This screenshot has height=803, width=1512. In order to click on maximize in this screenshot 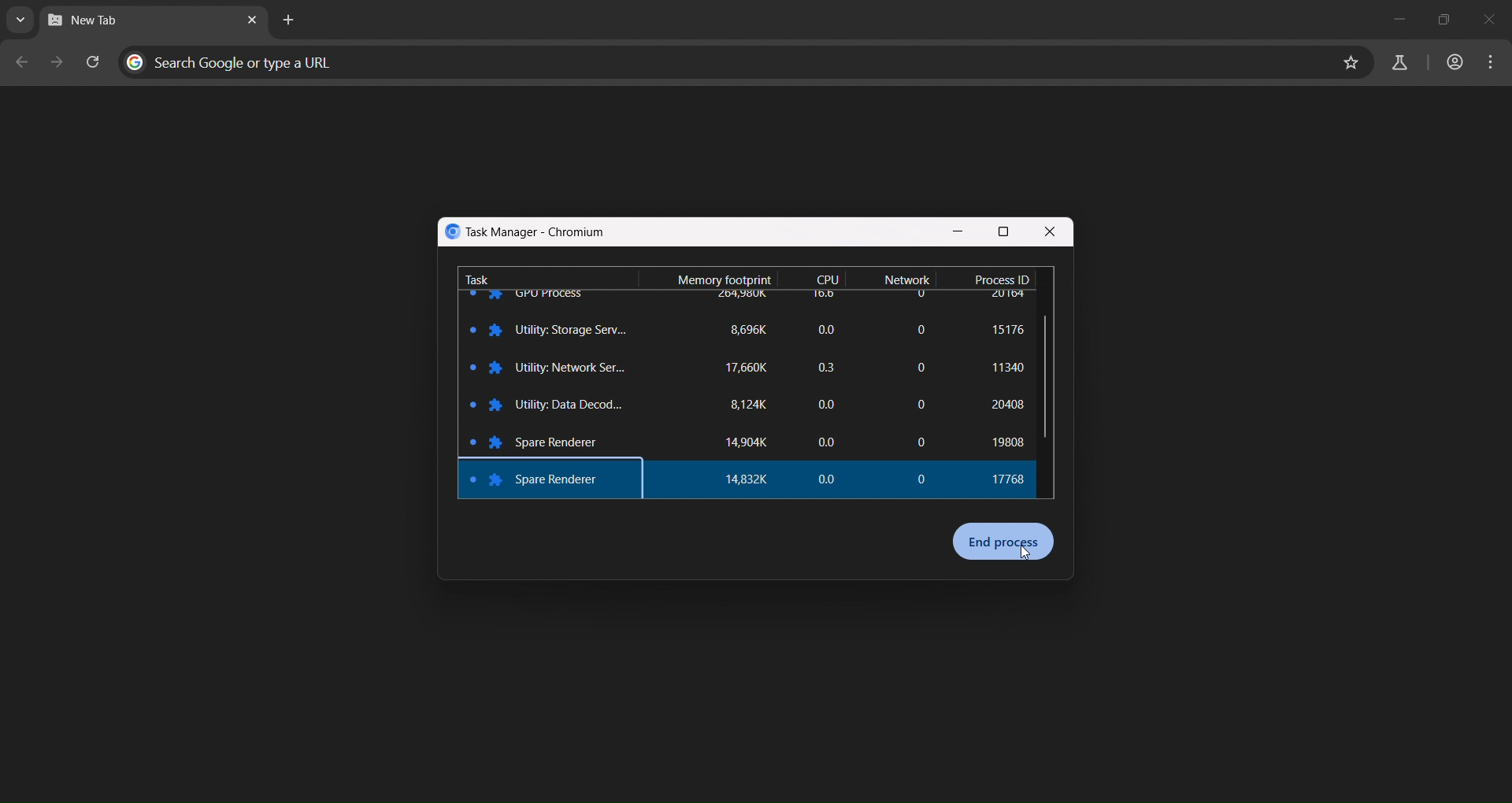, I will do `click(1444, 16)`.